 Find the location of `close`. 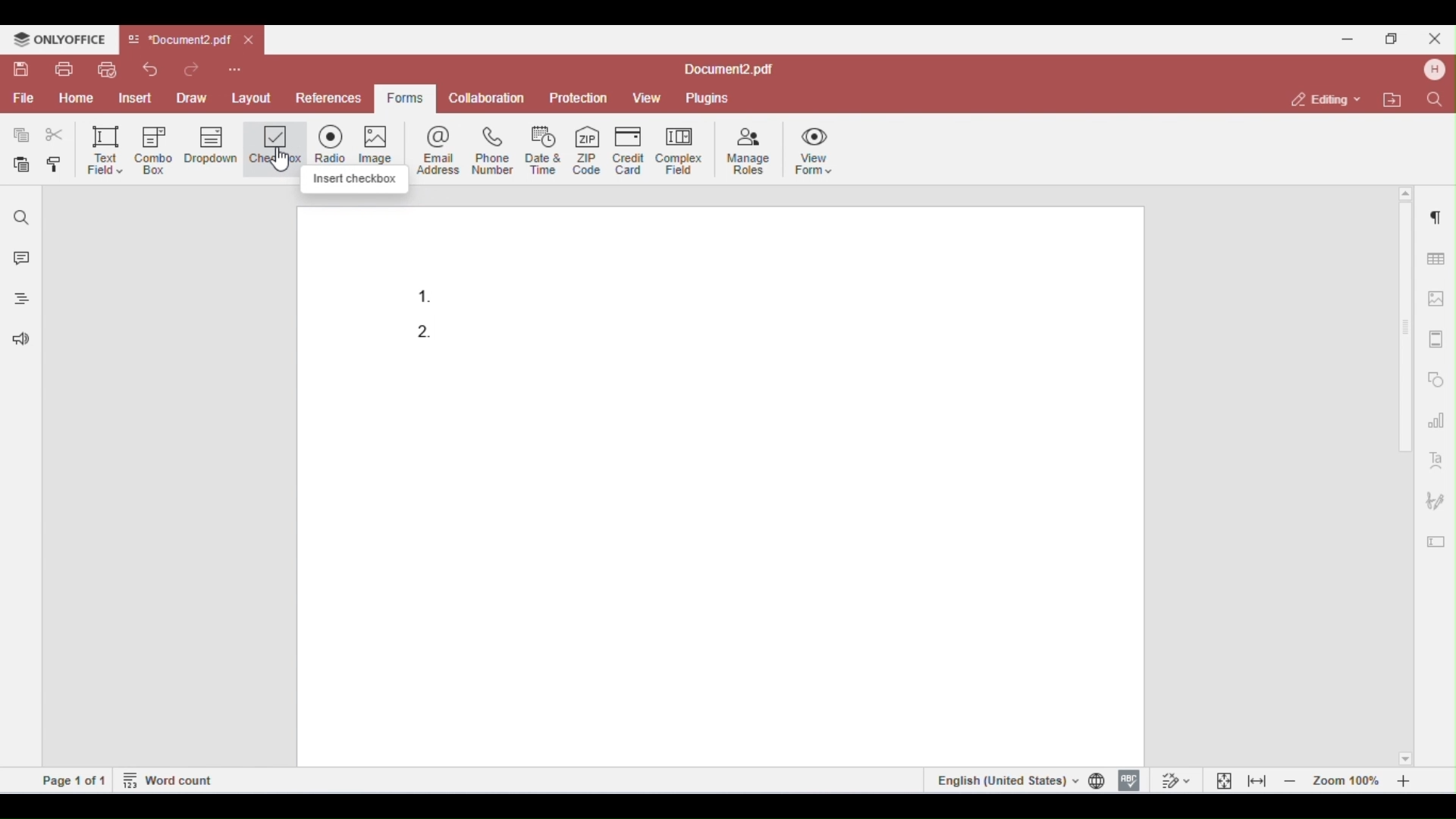

close is located at coordinates (1433, 38).